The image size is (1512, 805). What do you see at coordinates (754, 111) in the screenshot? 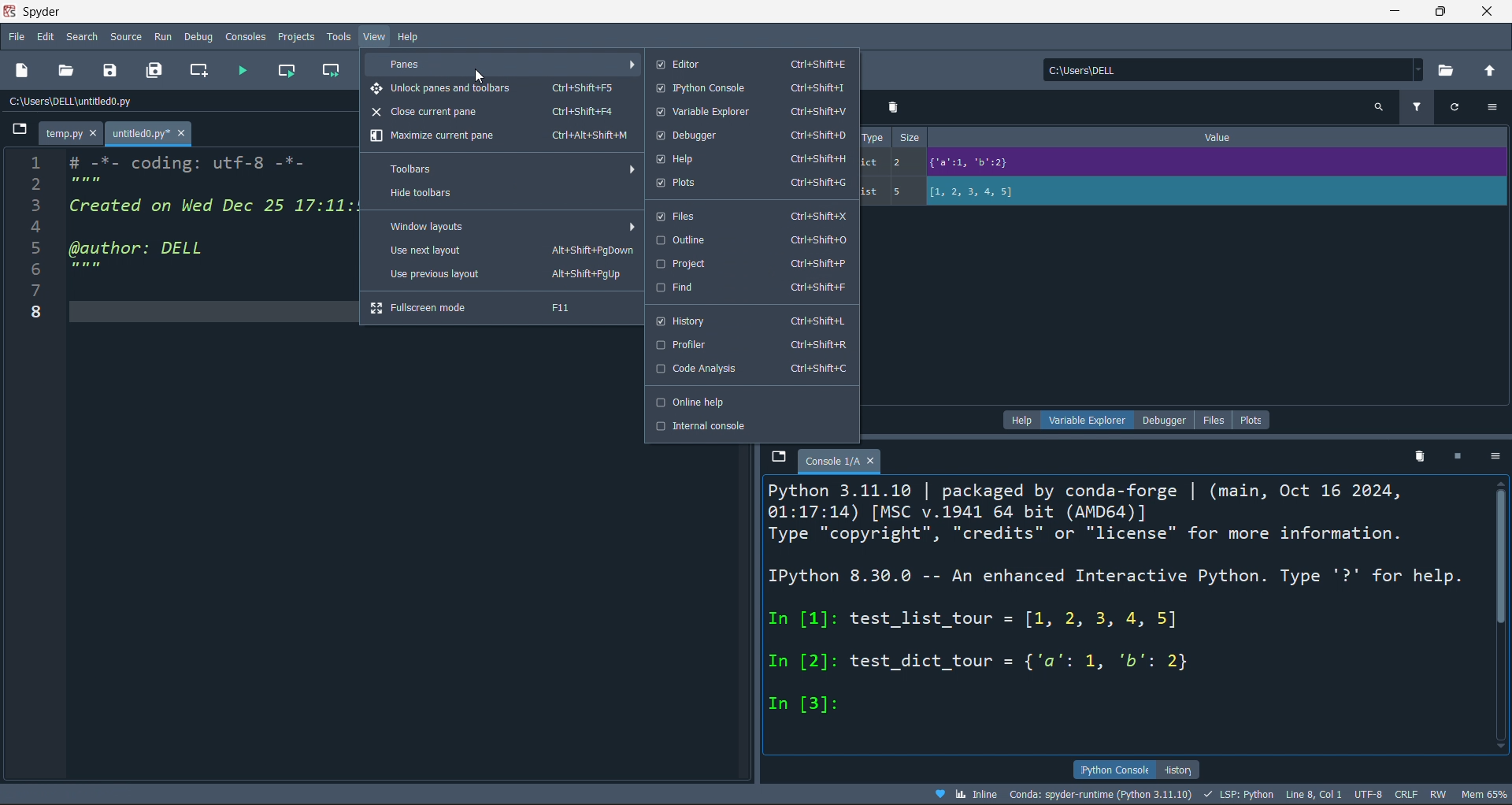
I see `variable explorer` at bounding box center [754, 111].